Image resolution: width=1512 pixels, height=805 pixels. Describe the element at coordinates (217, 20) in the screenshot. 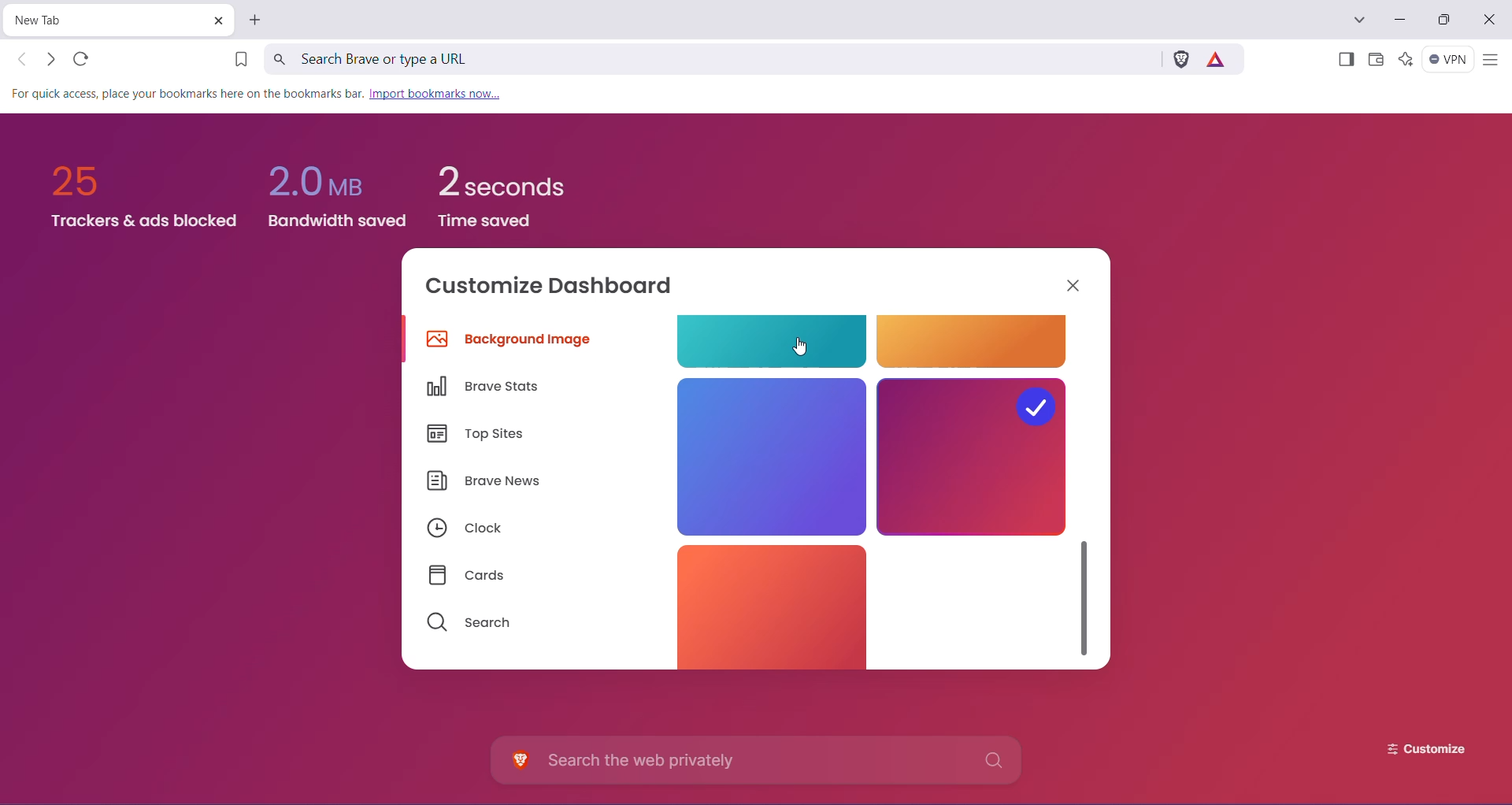

I see `Close Tab` at that location.